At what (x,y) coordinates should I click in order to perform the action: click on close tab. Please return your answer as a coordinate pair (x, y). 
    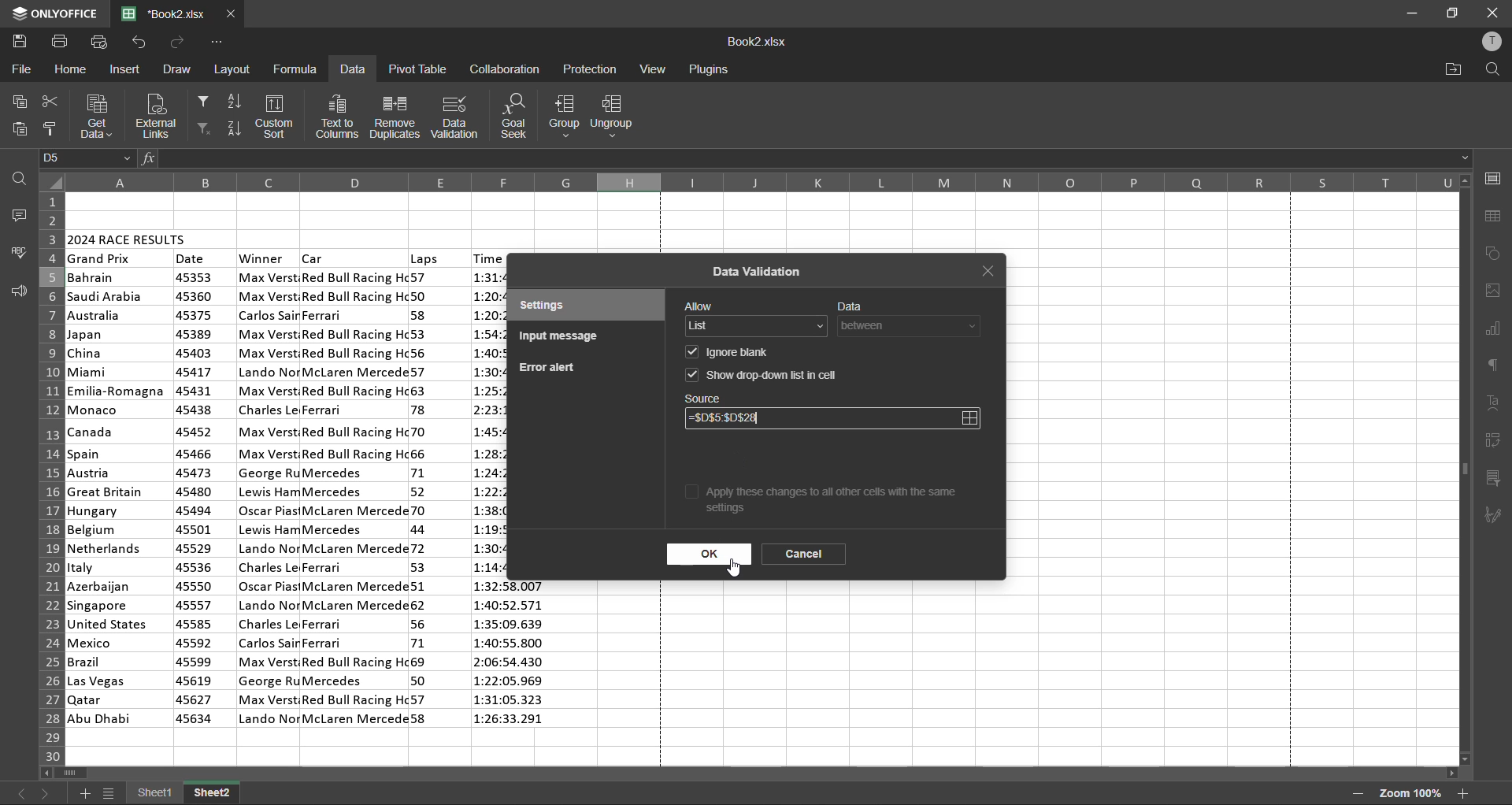
    Looking at the image, I should click on (992, 273).